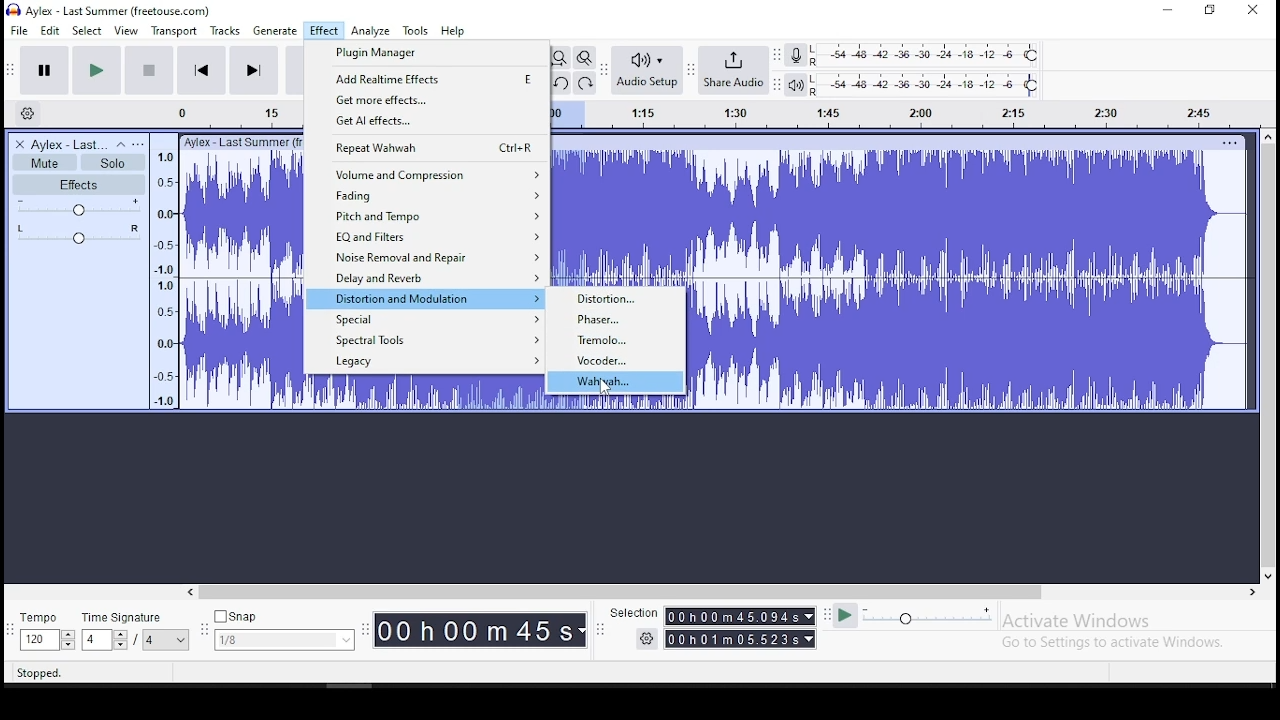 The height and width of the screenshot is (720, 1280). I want to click on special, so click(427, 321).